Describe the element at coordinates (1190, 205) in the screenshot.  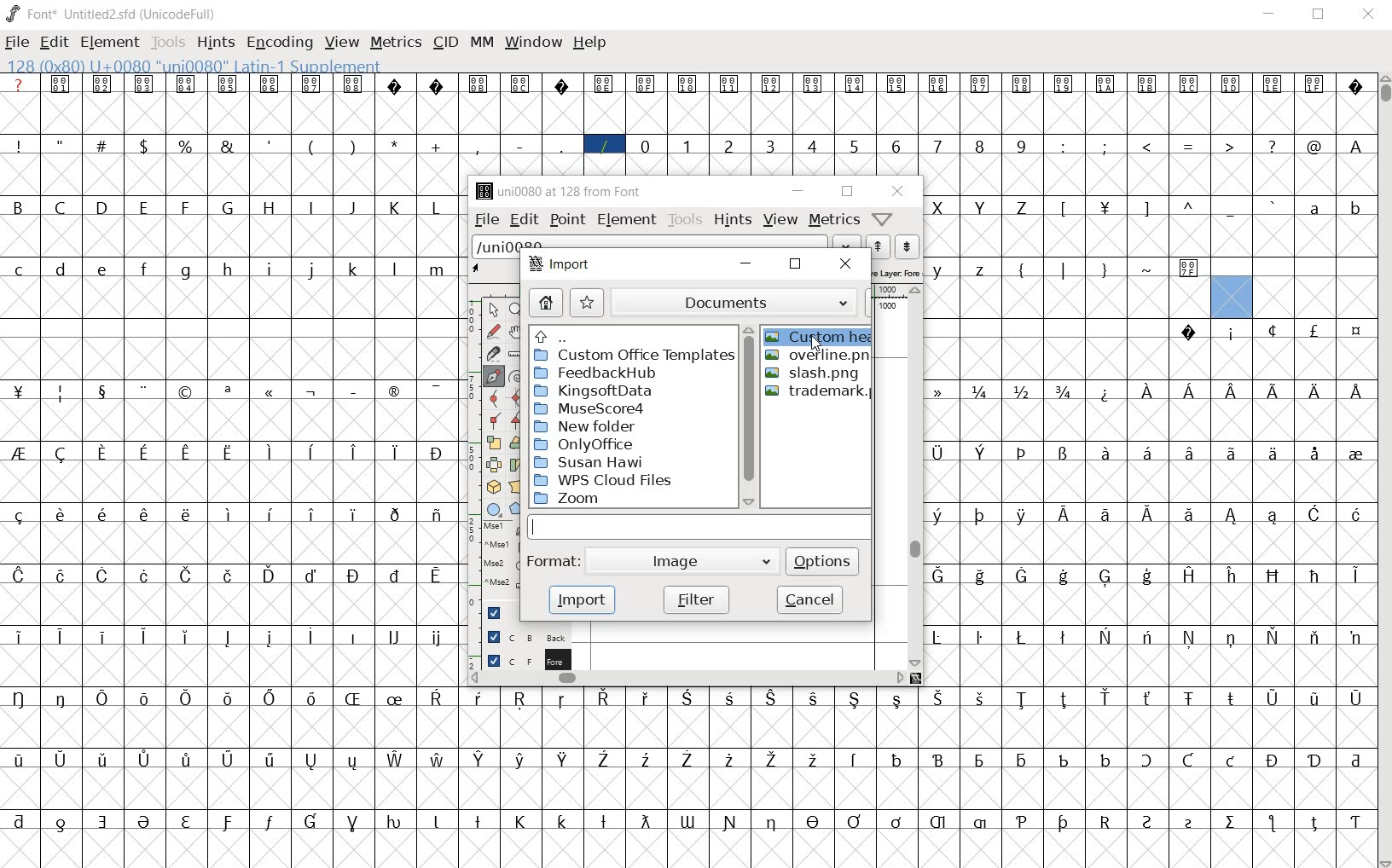
I see `glyph` at that location.